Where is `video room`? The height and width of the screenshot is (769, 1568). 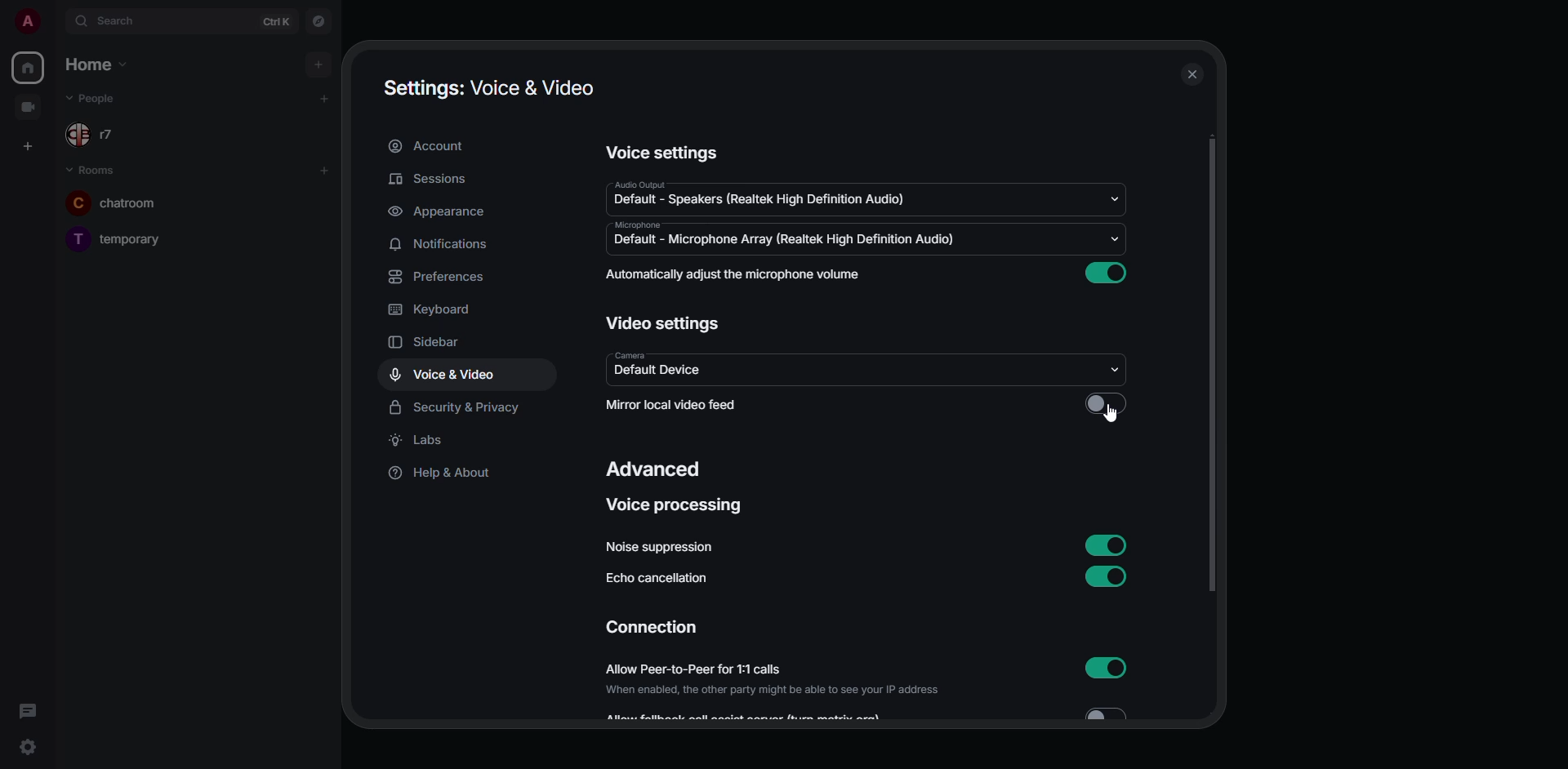
video room is located at coordinates (26, 107).